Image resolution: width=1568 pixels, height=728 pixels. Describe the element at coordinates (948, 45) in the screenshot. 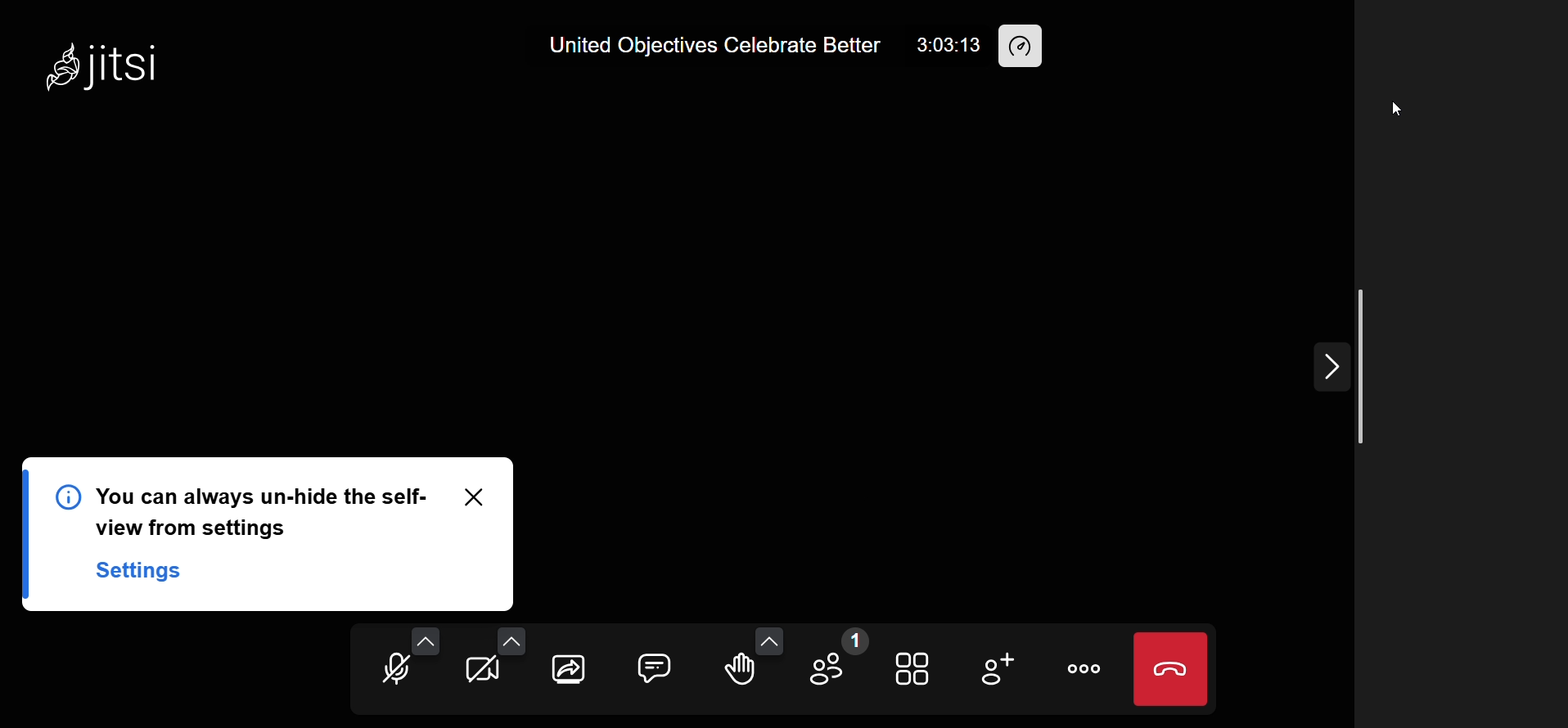

I see `3:03:13` at that location.